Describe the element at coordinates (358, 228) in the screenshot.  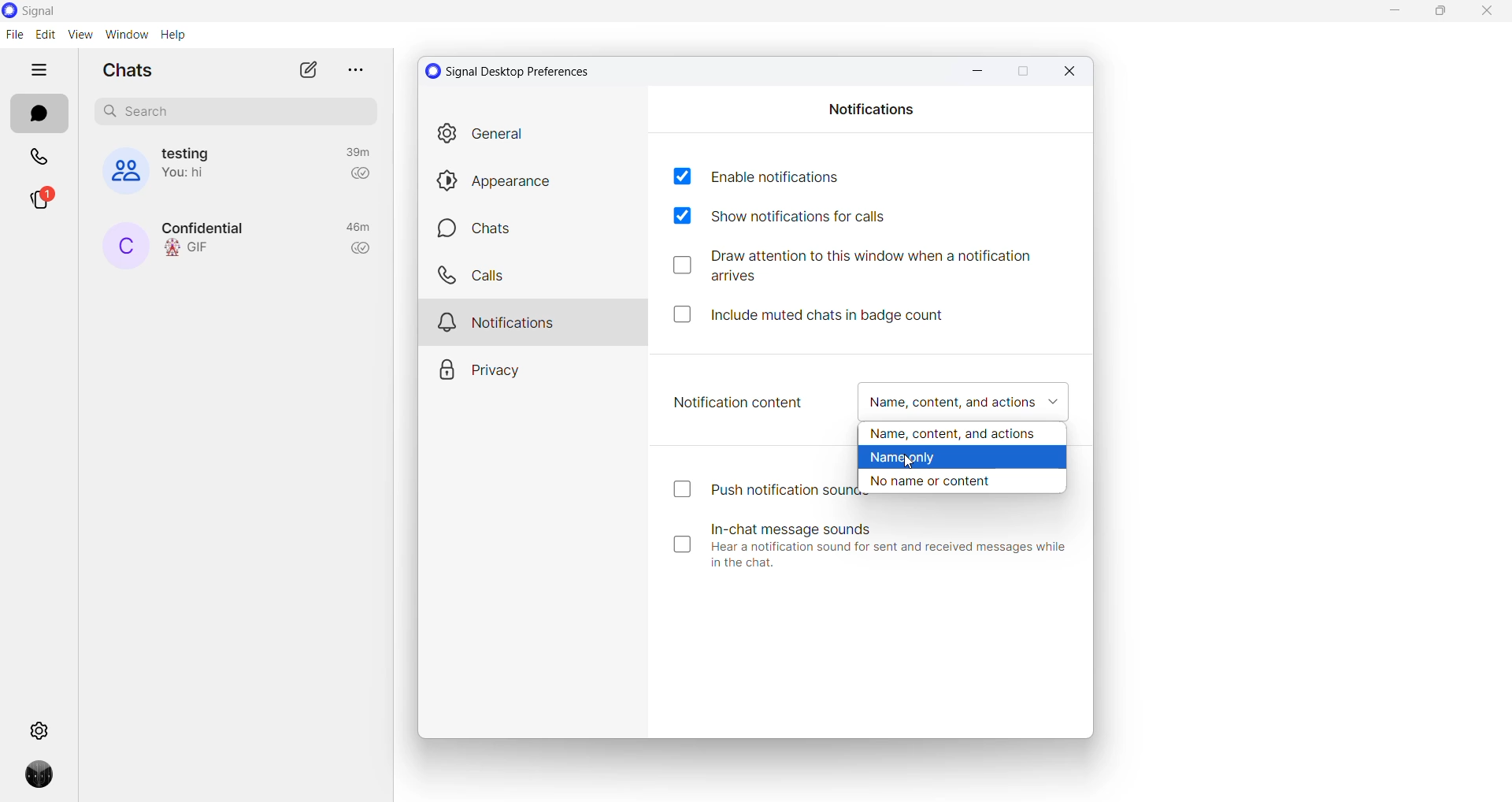
I see `last active time` at that location.